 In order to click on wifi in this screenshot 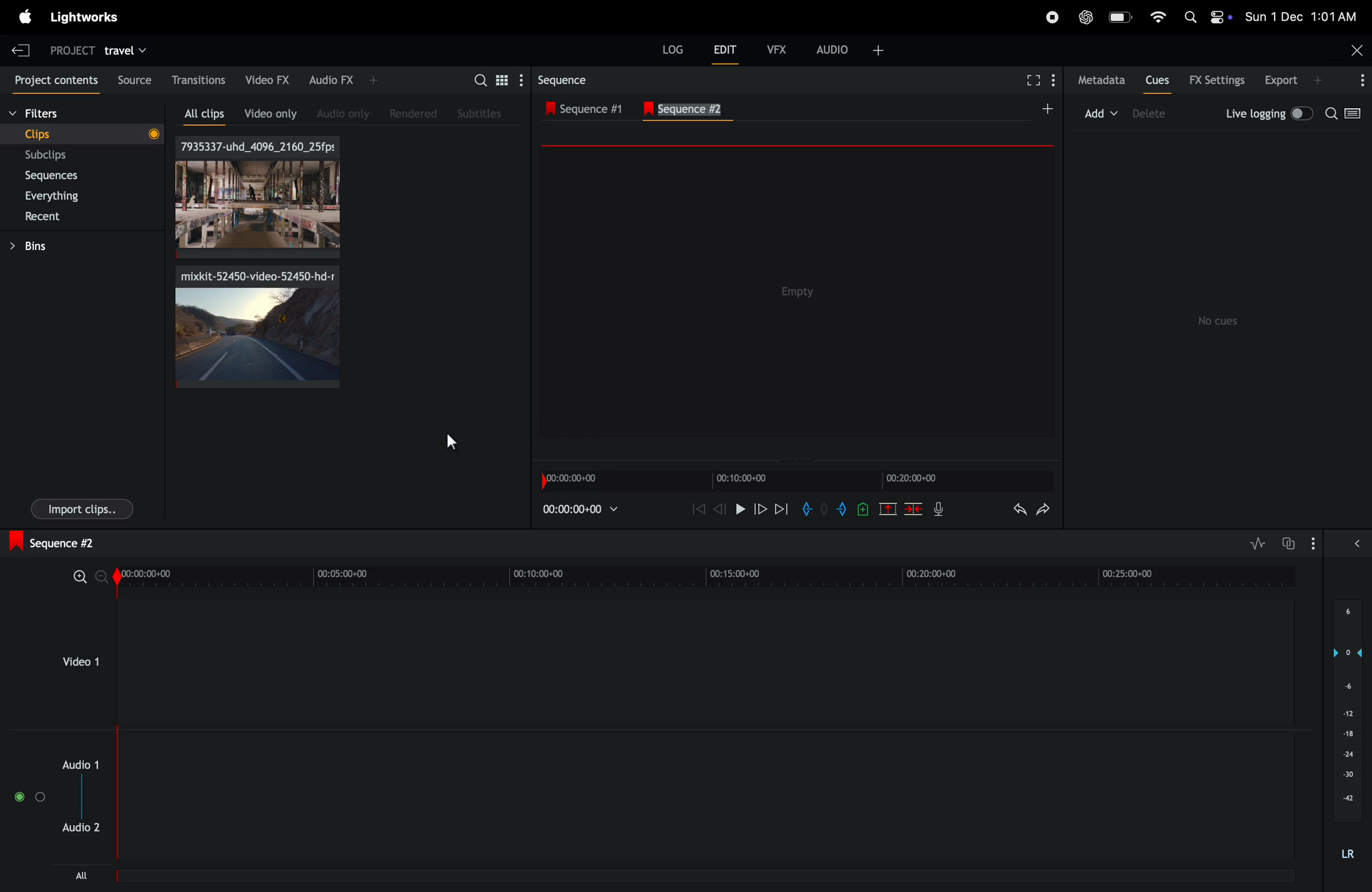, I will do `click(1155, 16)`.